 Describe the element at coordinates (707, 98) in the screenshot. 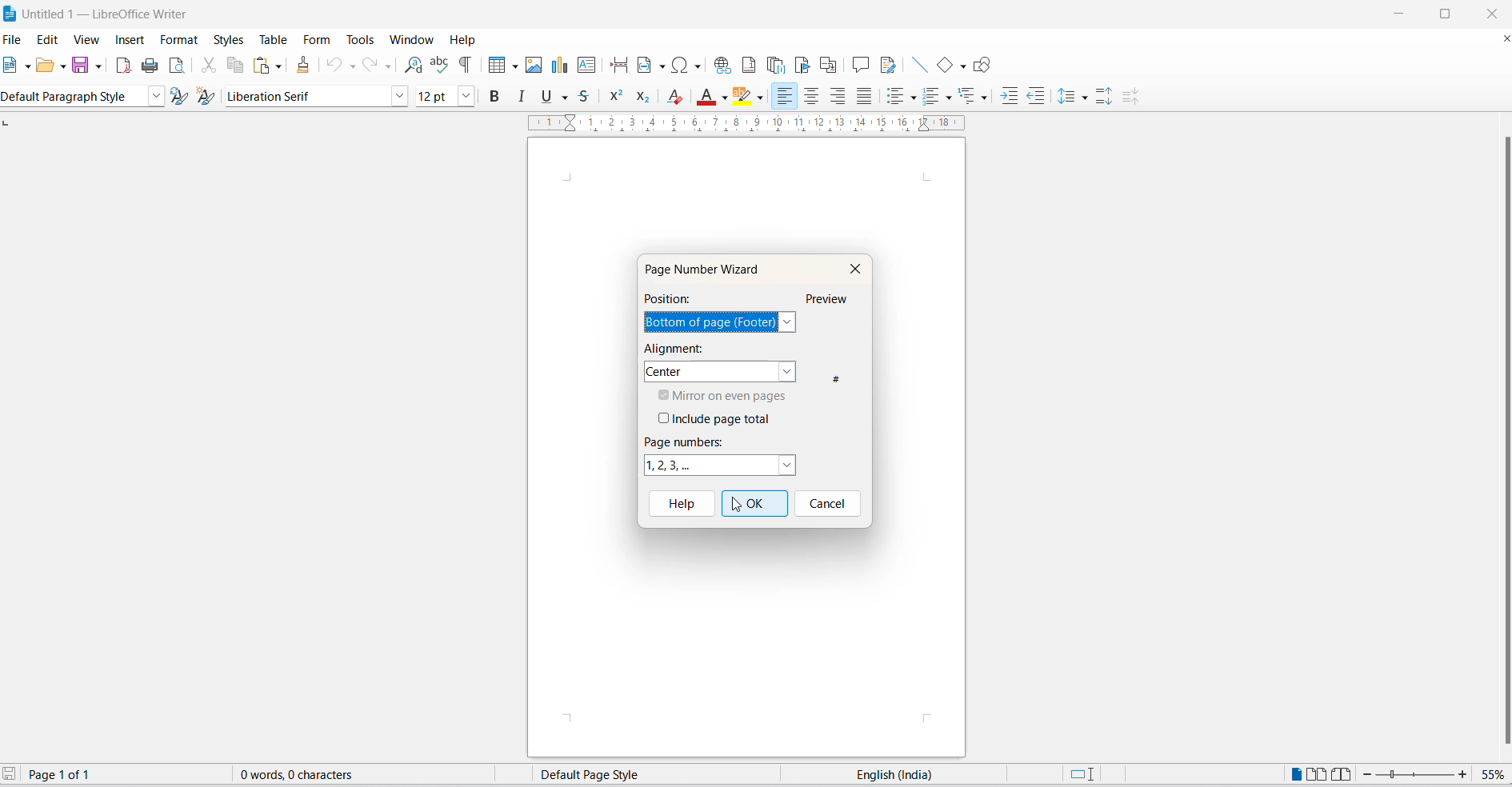

I see `font color` at that location.